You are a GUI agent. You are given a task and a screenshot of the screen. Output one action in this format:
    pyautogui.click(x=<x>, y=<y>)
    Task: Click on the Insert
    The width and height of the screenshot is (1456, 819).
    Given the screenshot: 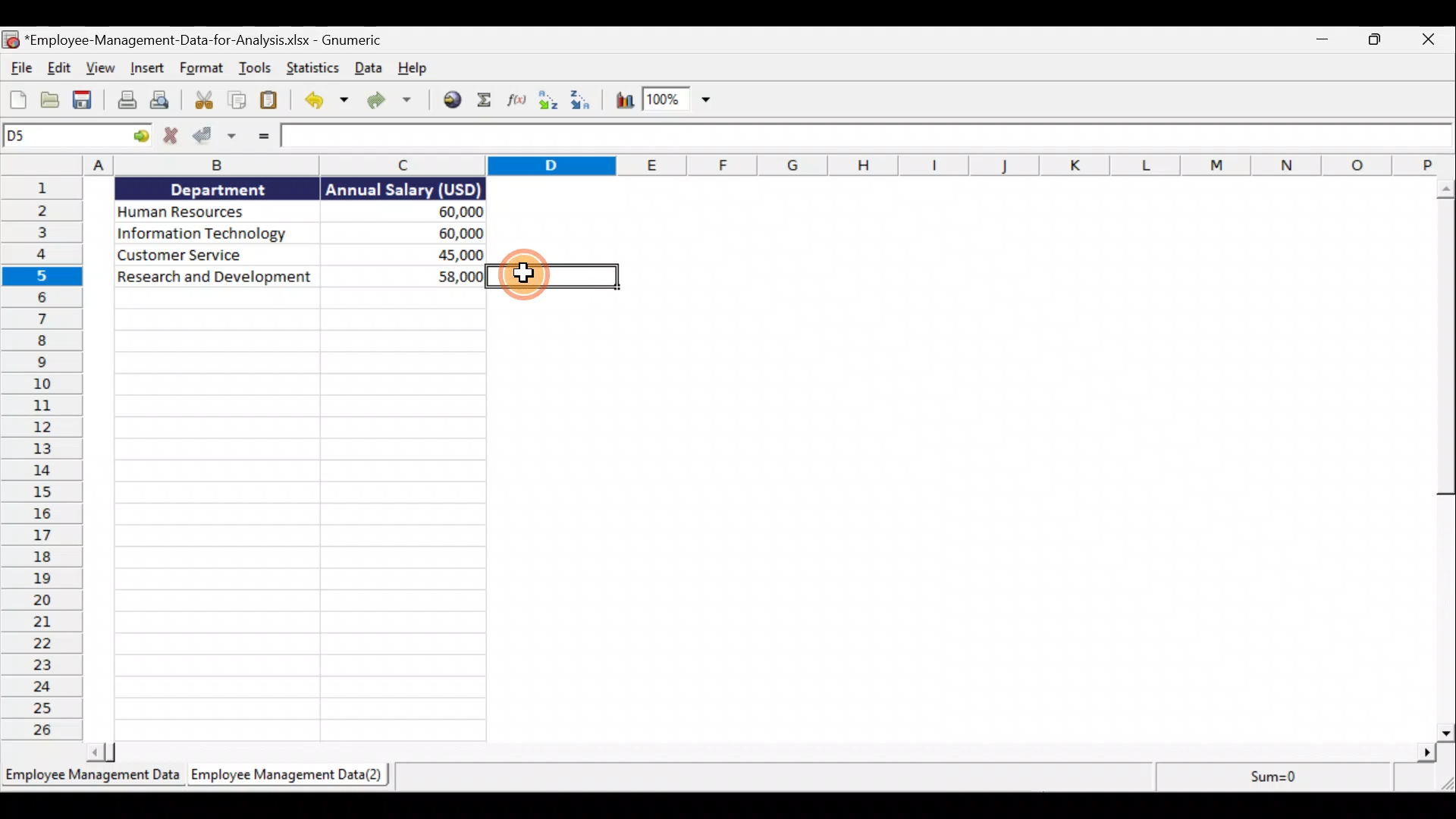 What is the action you would take?
    pyautogui.click(x=149, y=68)
    